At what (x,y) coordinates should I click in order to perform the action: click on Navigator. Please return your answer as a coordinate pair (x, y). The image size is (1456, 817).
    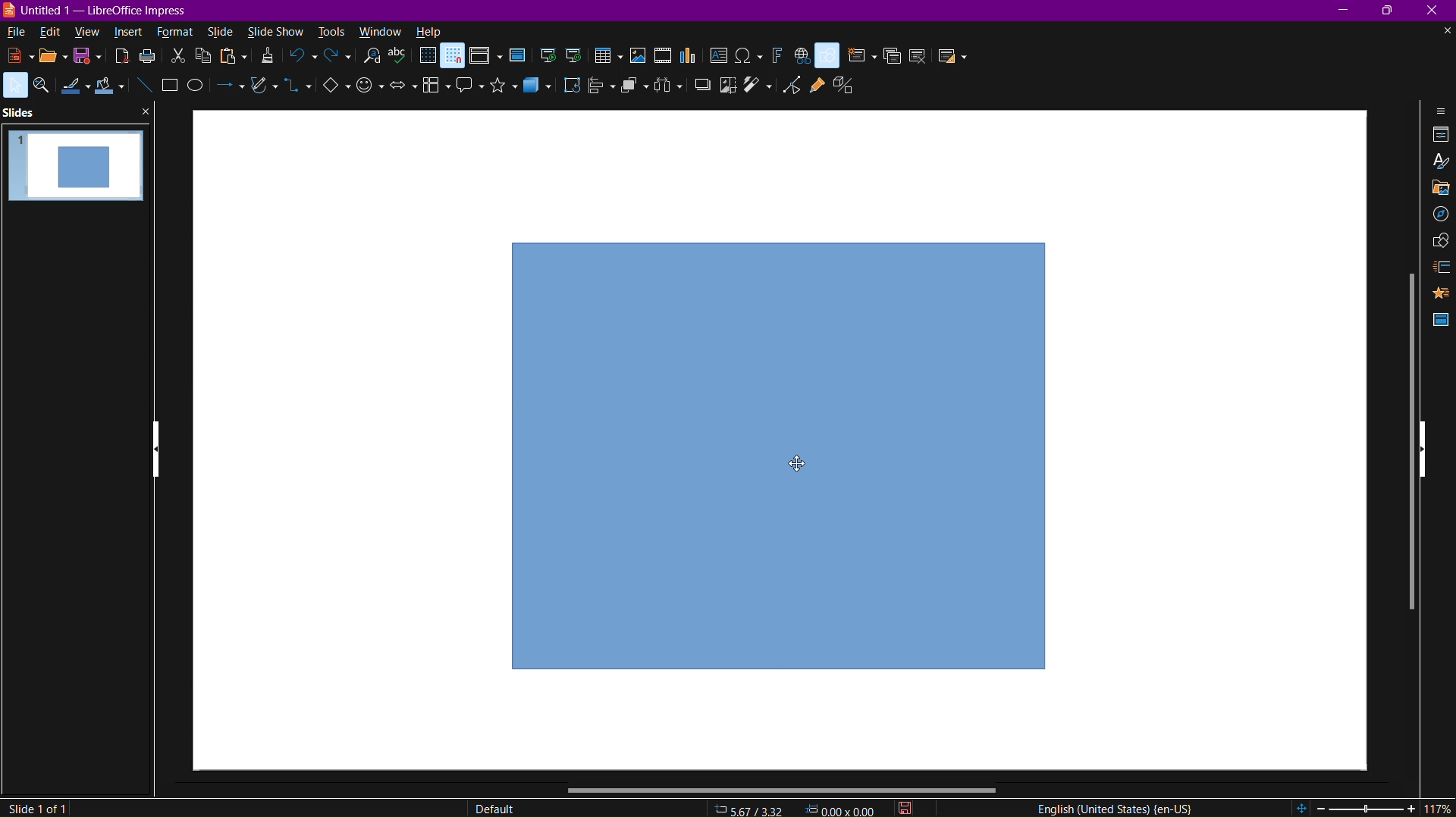
    Looking at the image, I should click on (1437, 218).